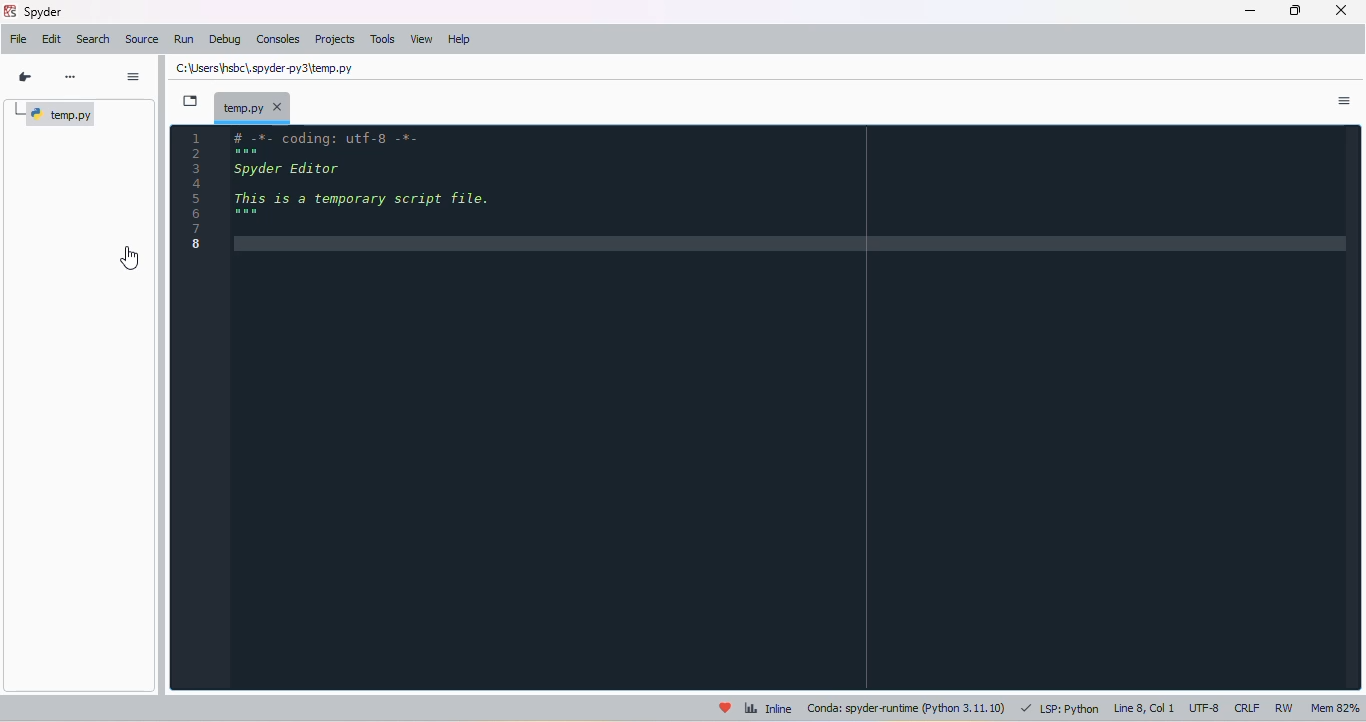  I want to click on line 8, col 1, so click(1145, 708).